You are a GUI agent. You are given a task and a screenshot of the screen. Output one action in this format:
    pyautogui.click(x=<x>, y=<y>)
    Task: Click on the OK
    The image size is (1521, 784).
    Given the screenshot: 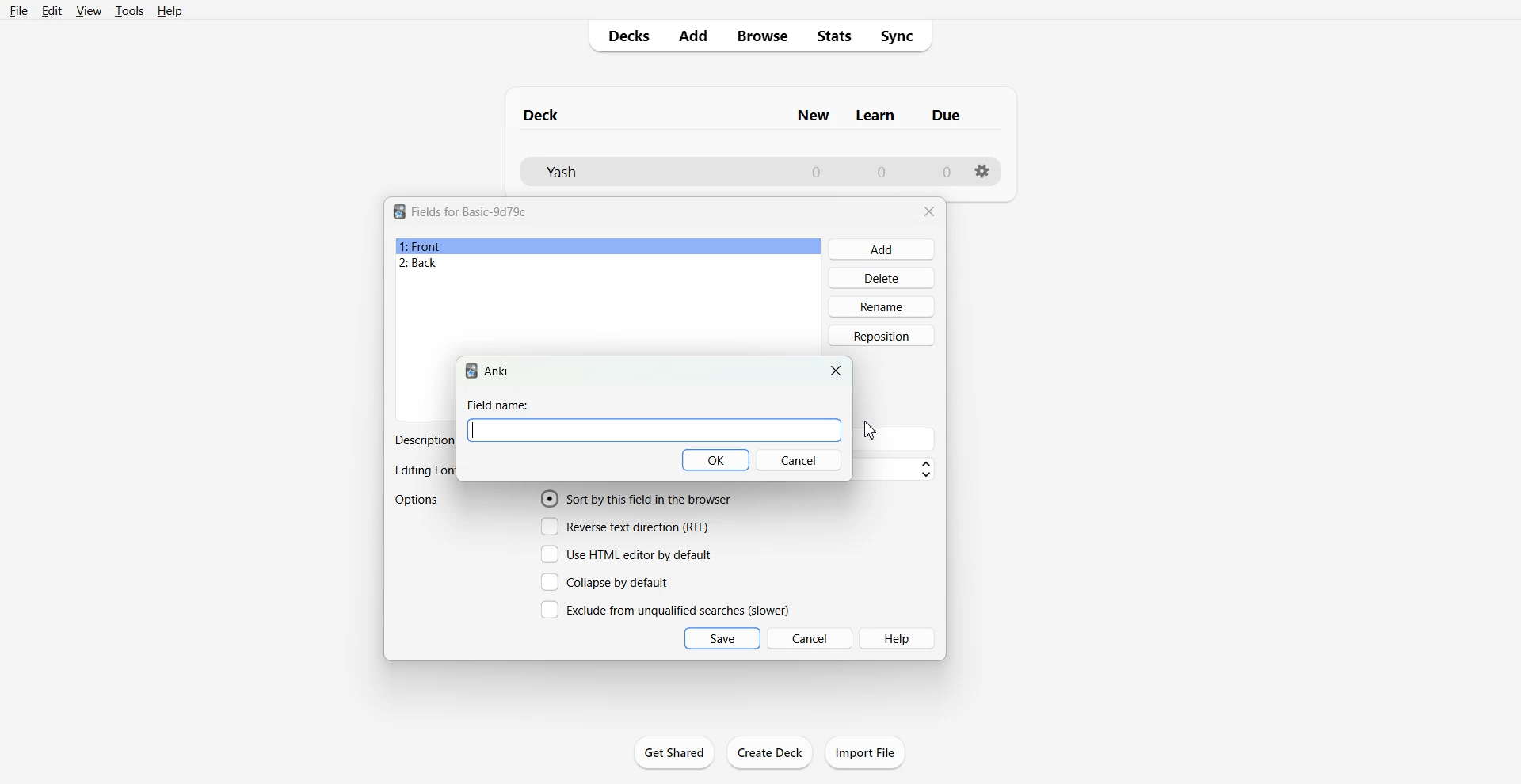 What is the action you would take?
    pyautogui.click(x=717, y=460)
    